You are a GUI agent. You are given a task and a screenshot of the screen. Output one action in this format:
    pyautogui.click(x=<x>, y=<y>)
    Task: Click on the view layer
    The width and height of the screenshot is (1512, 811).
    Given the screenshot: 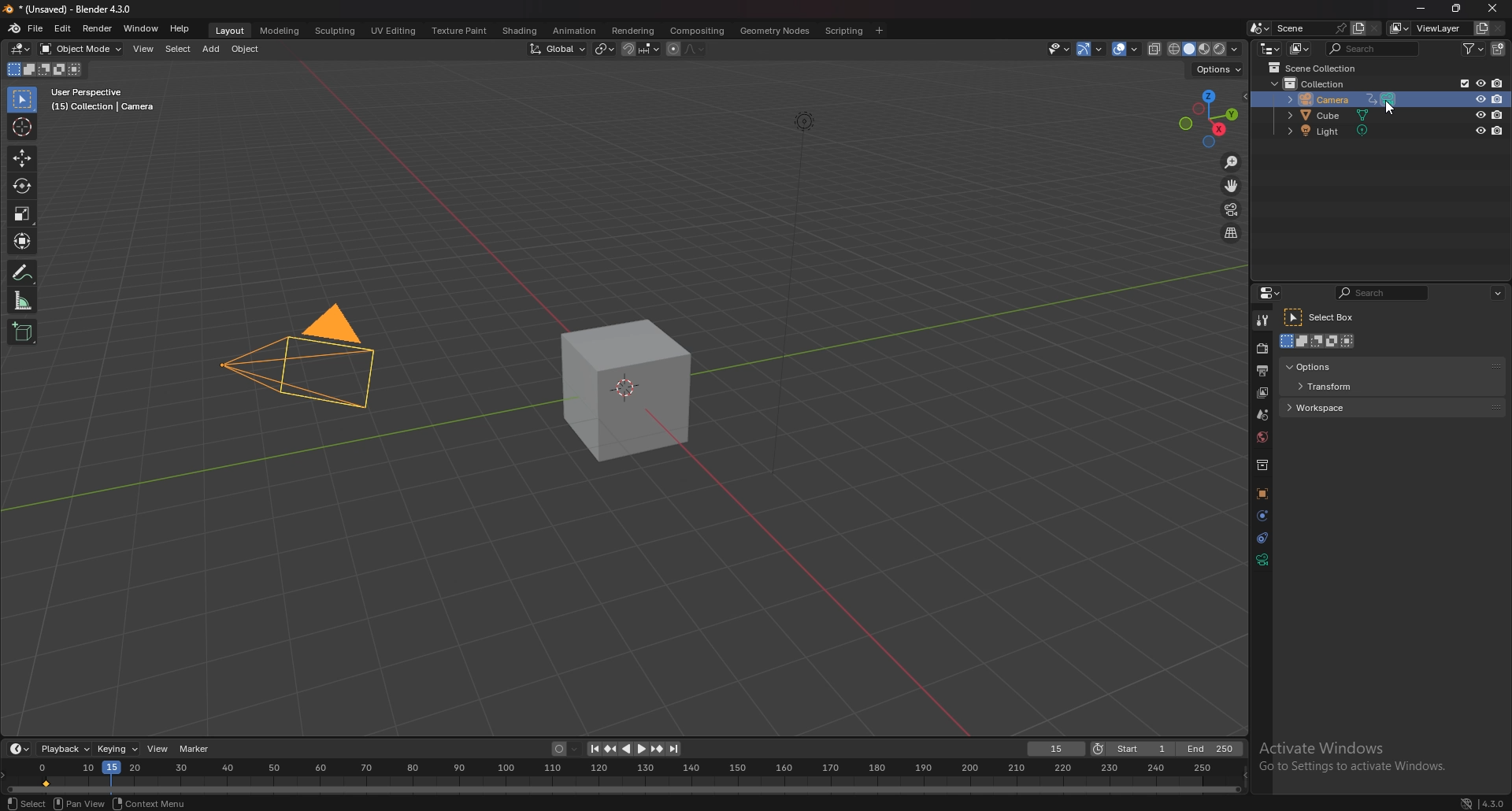 What is the action you would take?
    pyautogui.click(x=1429, y=28)
    